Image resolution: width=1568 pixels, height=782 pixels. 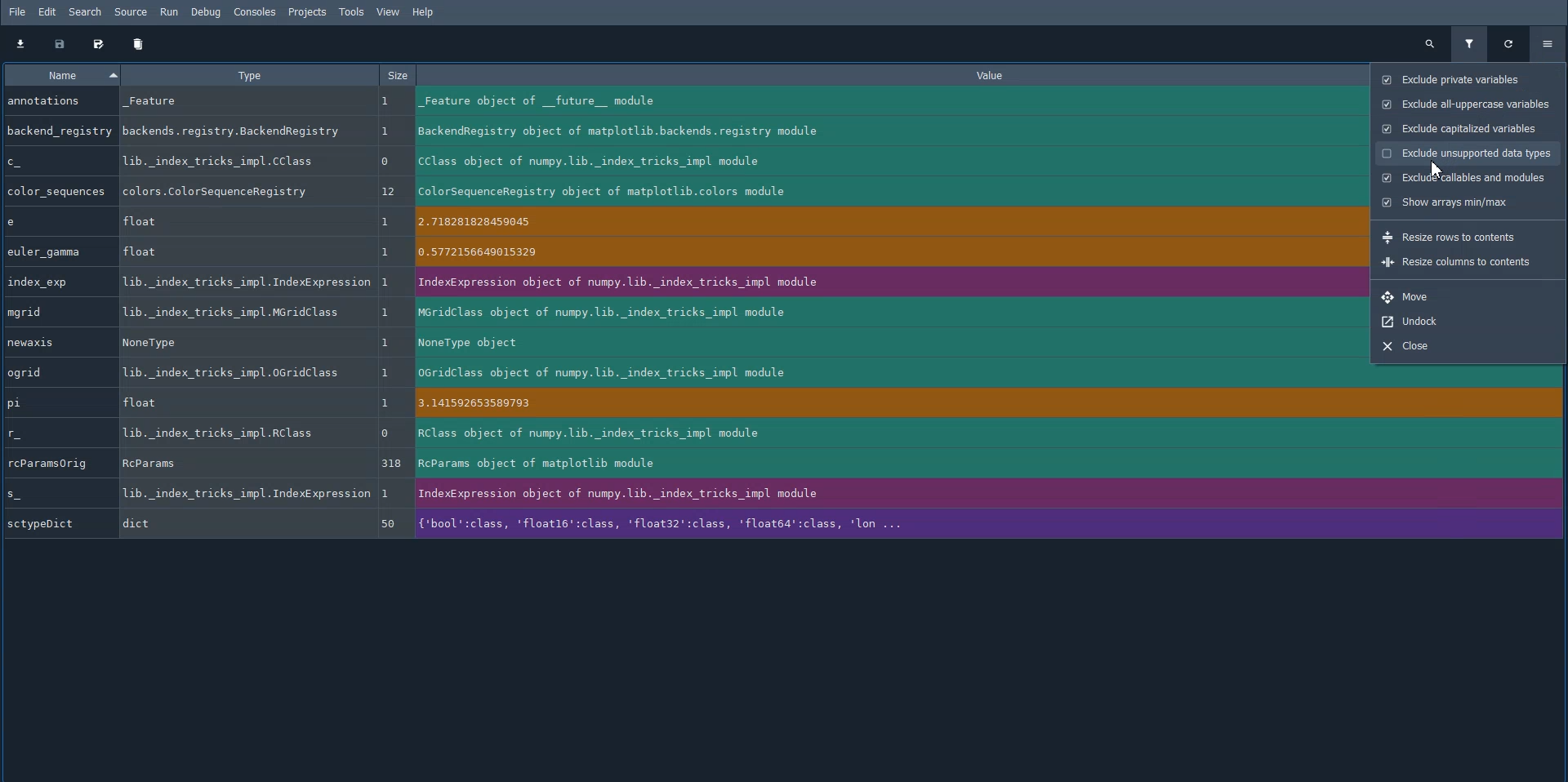 What do you see at coordinates (874, 191) in the screenshot?
I see `ColorSequenceRegistry object of matplotlib.colors module` at bounding box center [874, 191].